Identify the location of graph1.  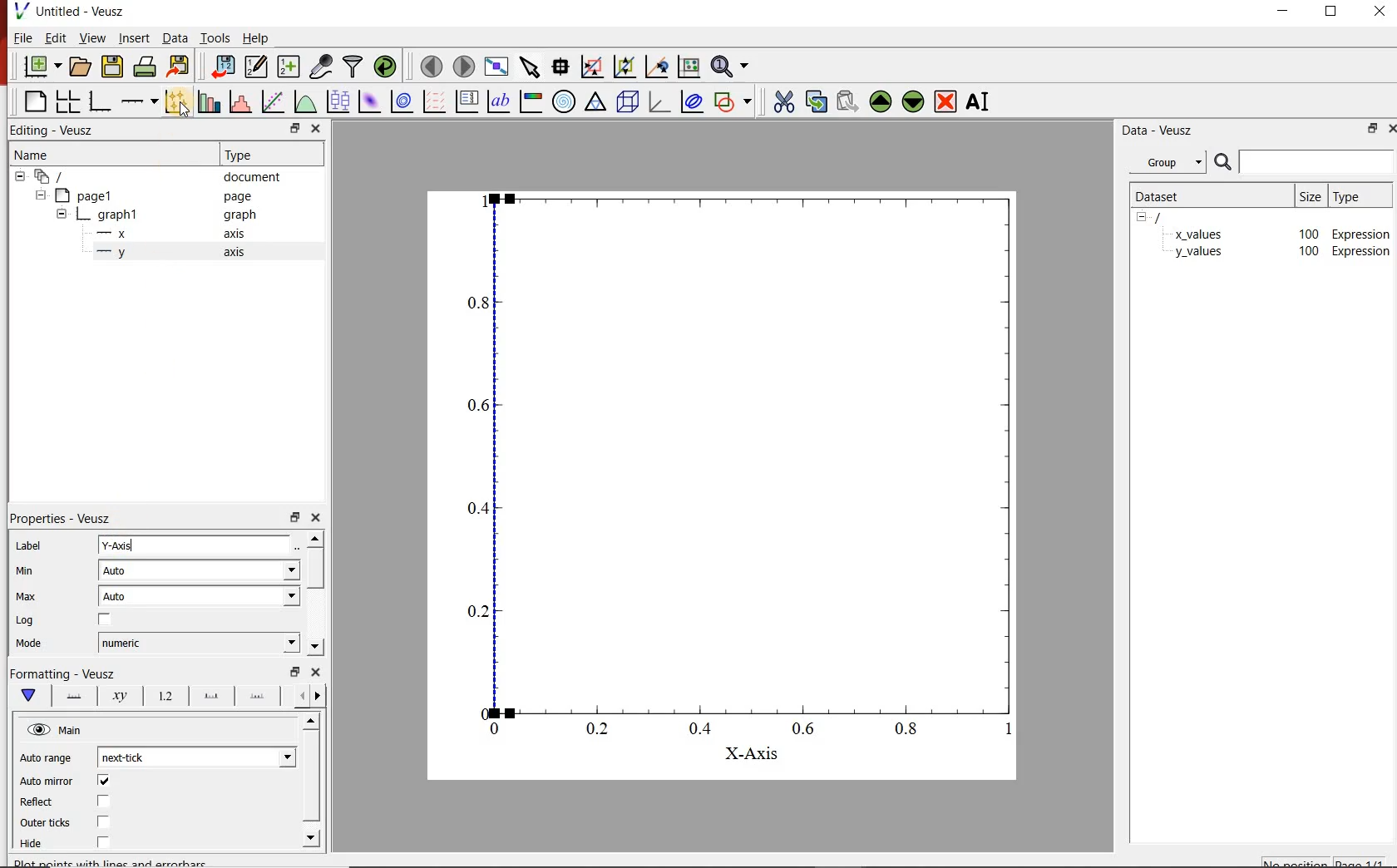
(120, 214).